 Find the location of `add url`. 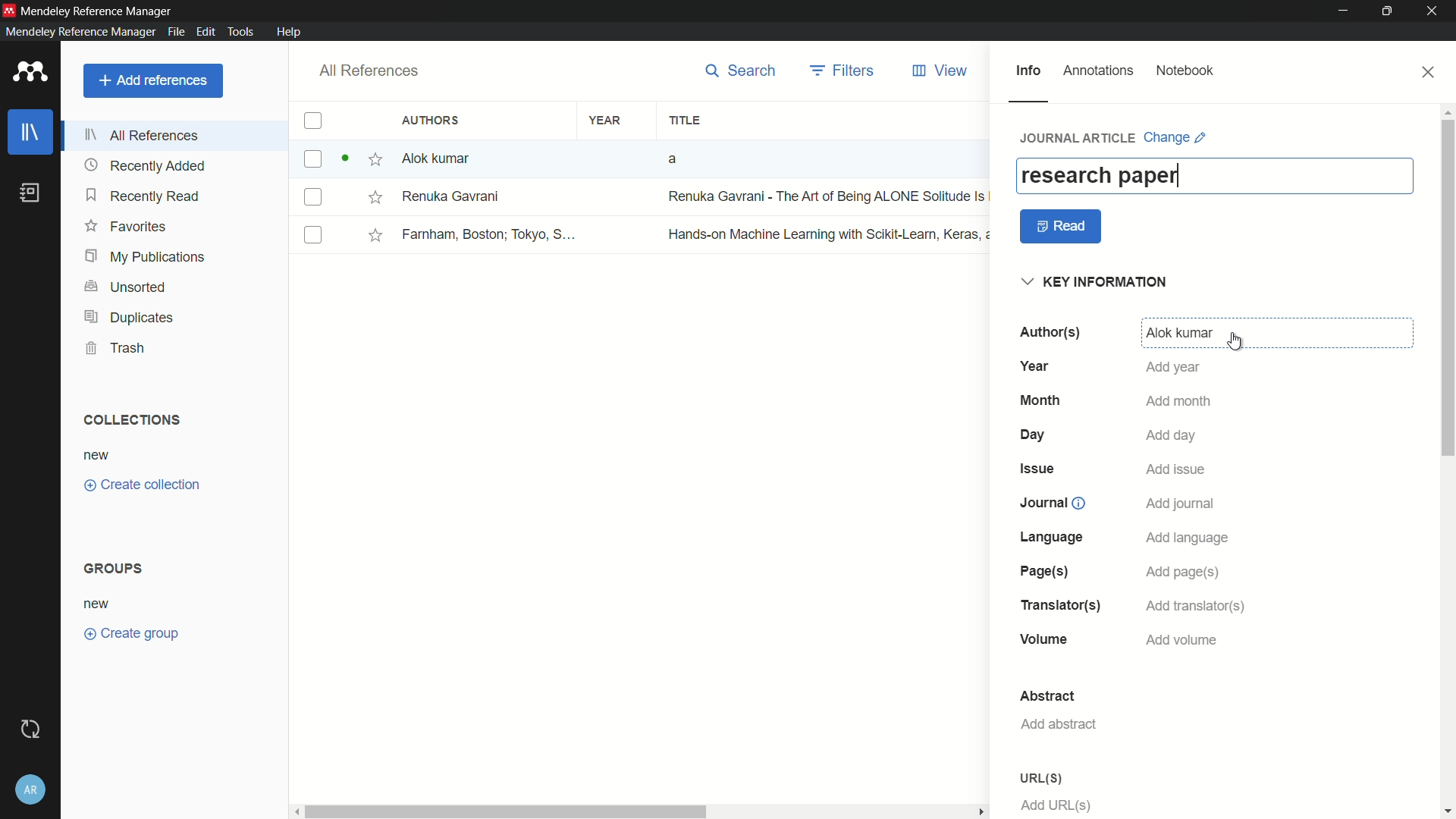

add url is located at coordinates (1057, 805).